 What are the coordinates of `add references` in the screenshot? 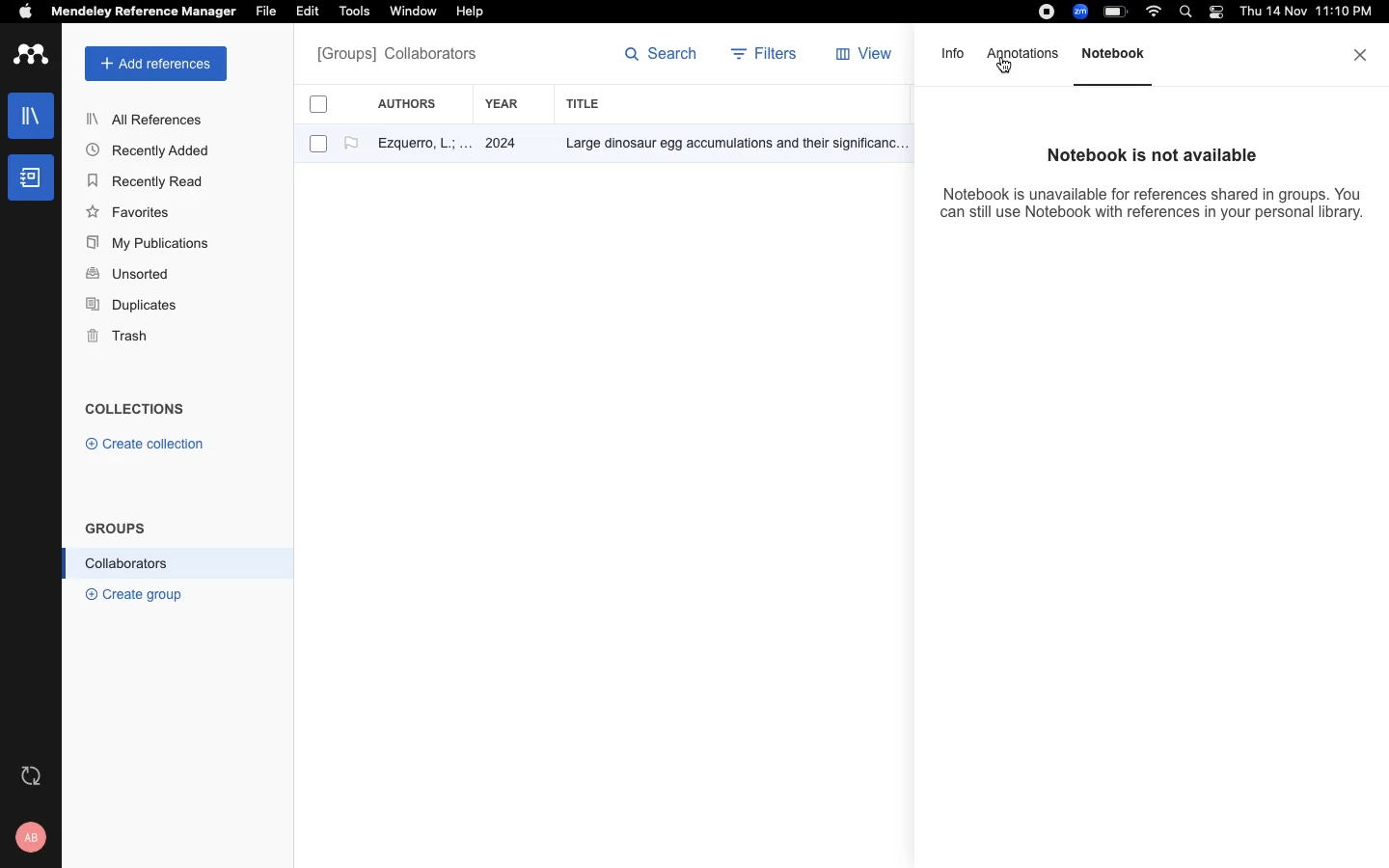 It's located at (156, 64).